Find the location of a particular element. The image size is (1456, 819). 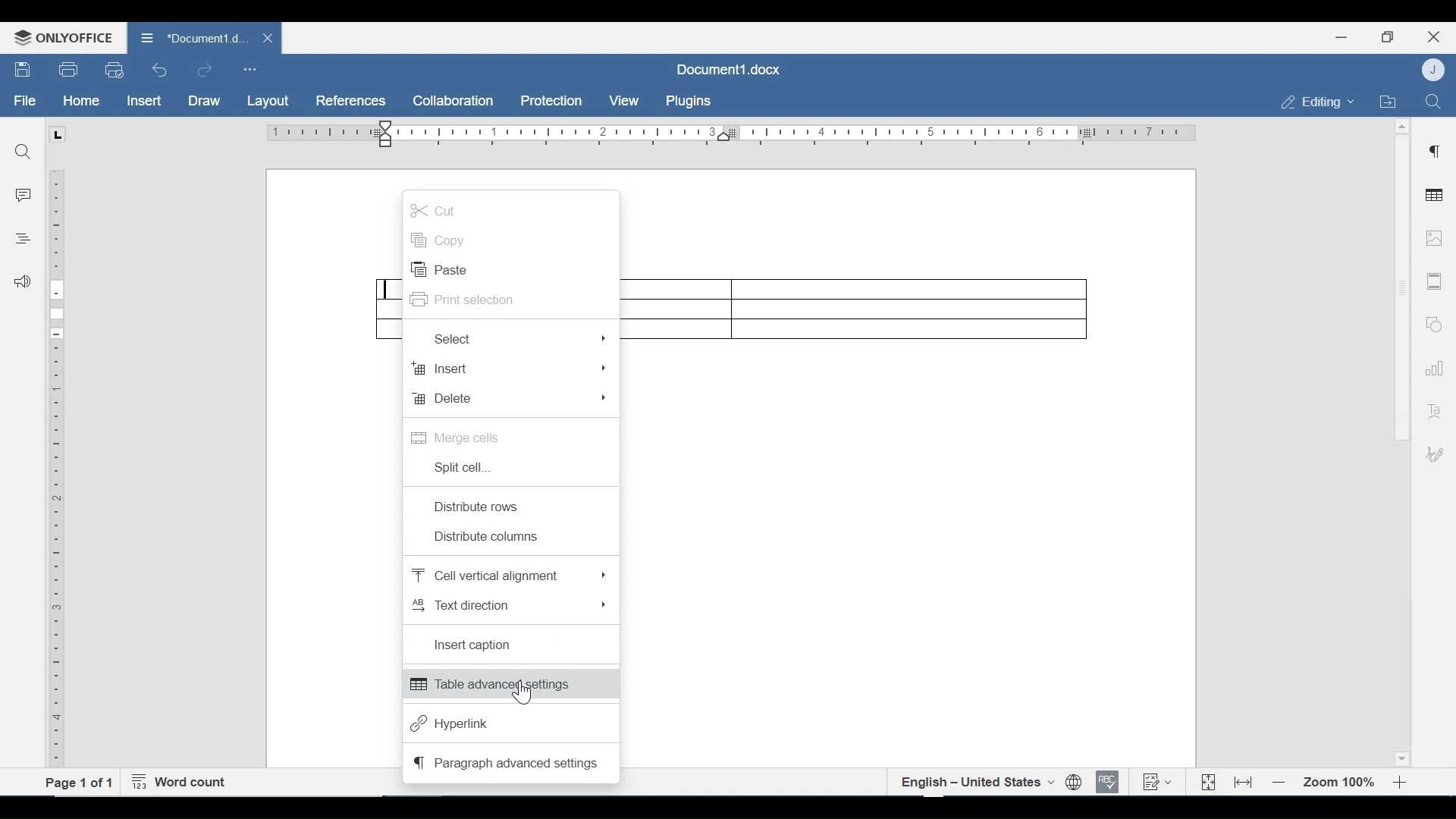

Editing is located at coordinates (1313, 102).